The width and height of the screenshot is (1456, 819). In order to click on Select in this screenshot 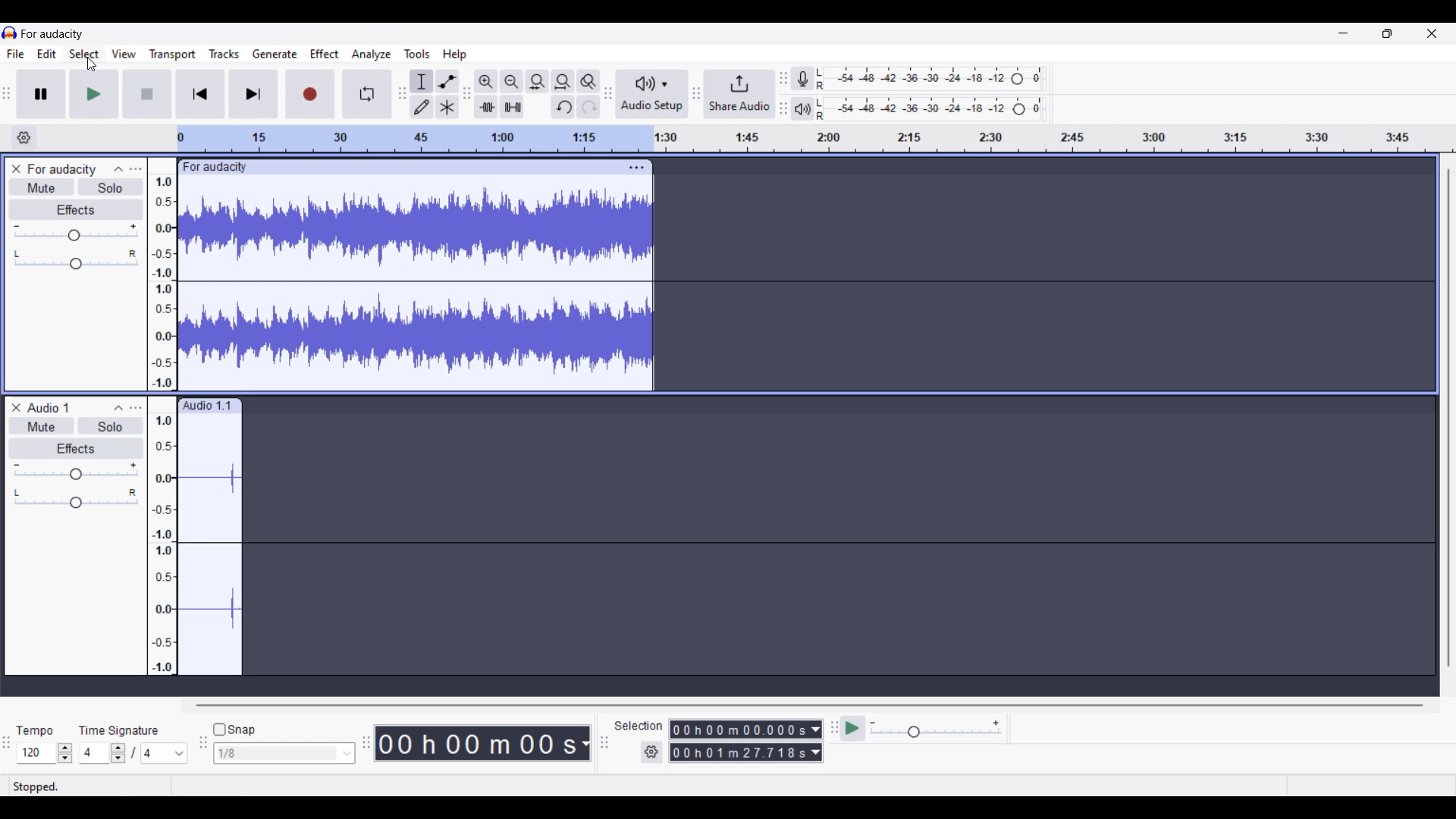, I will do `click(84, 53)`.